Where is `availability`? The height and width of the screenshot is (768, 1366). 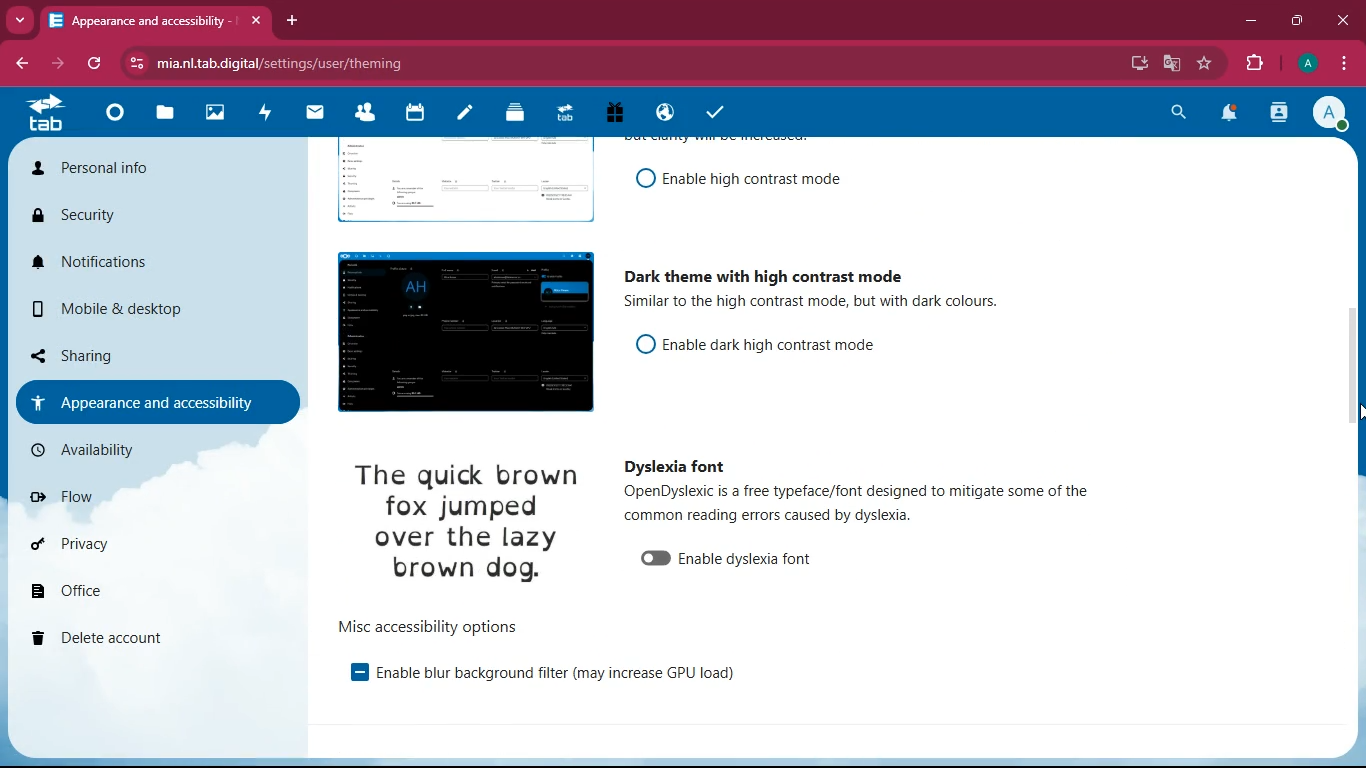
availability is located at coordinates (127, 450).